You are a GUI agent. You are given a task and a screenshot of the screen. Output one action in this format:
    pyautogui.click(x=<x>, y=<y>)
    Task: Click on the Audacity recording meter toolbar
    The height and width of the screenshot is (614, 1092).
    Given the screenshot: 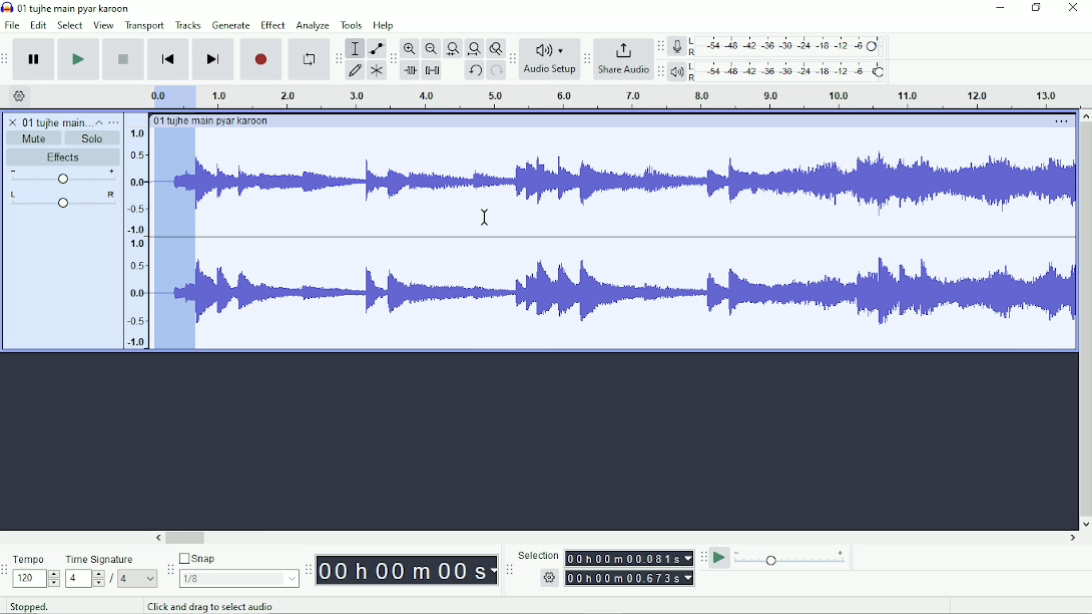 What is the action you would take?
    pyautogui.click(x=660, y=47)
    